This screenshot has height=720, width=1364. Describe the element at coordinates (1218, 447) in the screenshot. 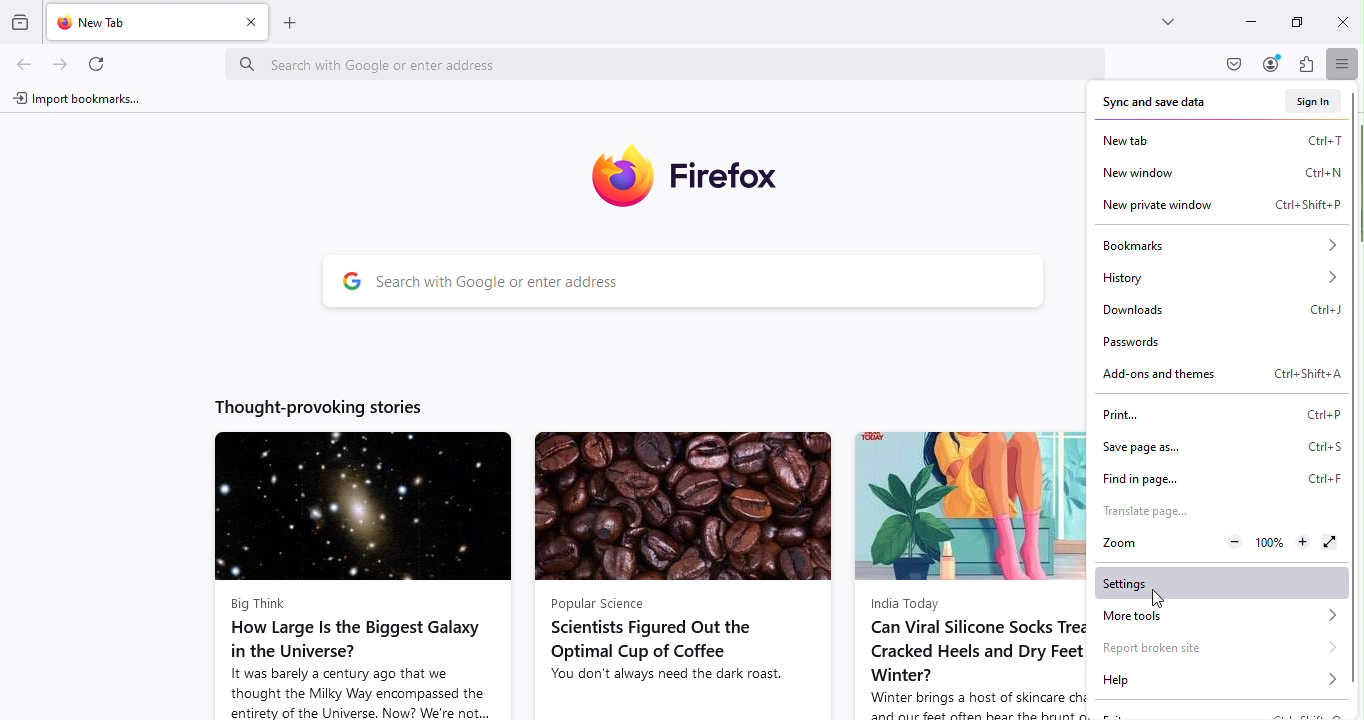

I see `Save page as...` at that location.